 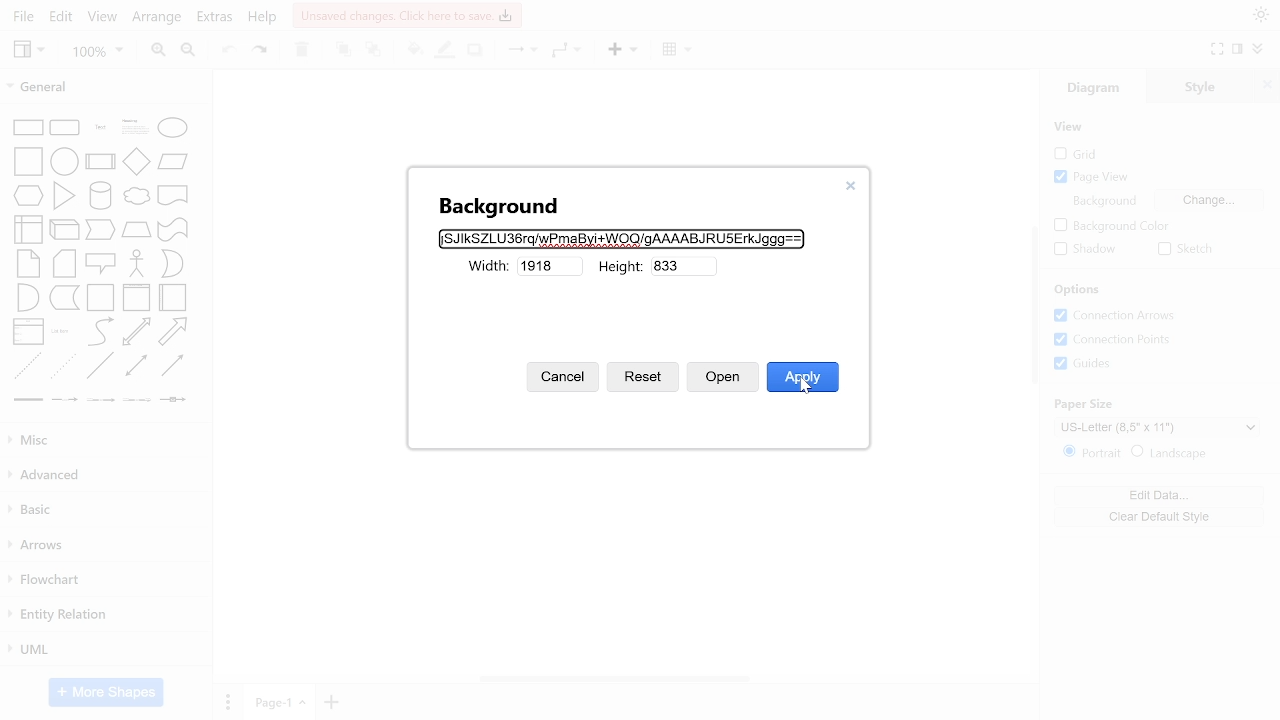 I want to click on grid, so click(x=1084, y=154).